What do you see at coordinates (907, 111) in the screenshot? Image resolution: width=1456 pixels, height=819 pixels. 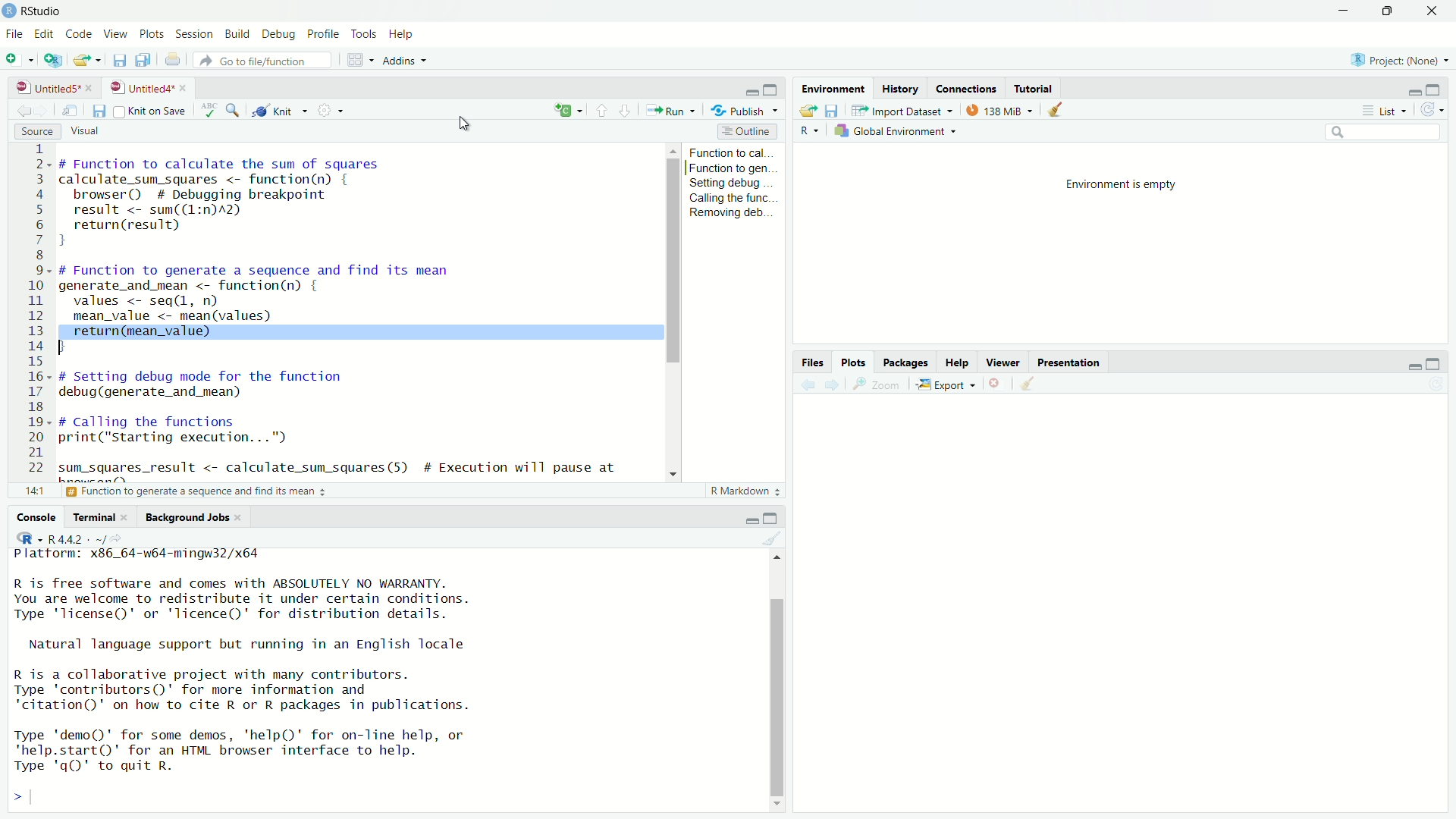 I see `import dataset` at bounding box center [907, 111].